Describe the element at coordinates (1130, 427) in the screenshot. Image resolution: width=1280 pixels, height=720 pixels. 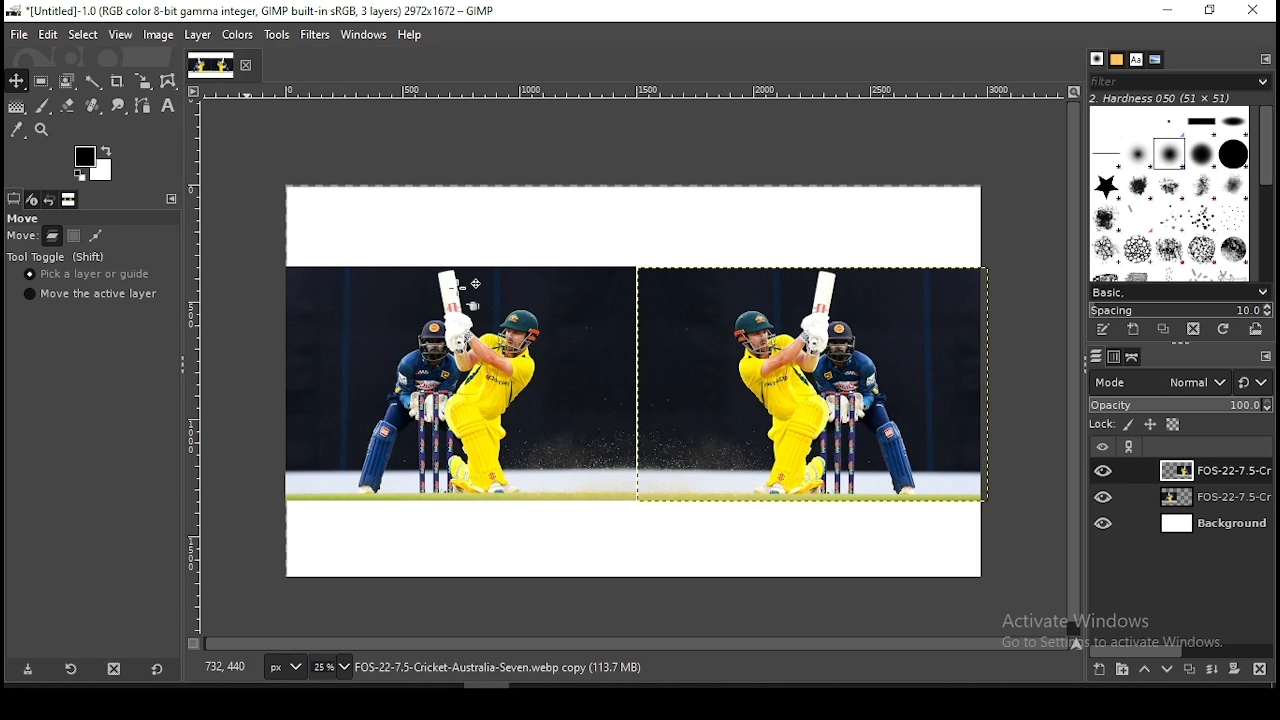
I see `lock pixels` at that location.